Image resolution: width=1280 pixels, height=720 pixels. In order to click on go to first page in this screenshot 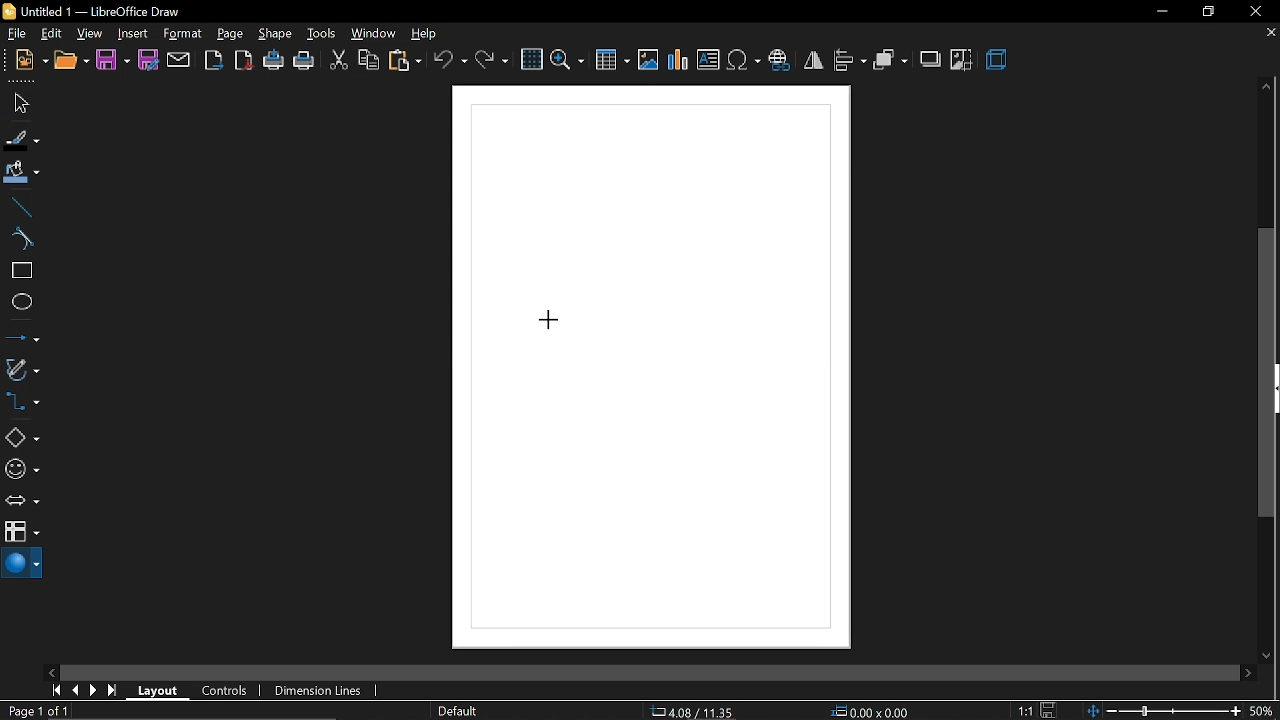, I will do `click(58, 692)`.